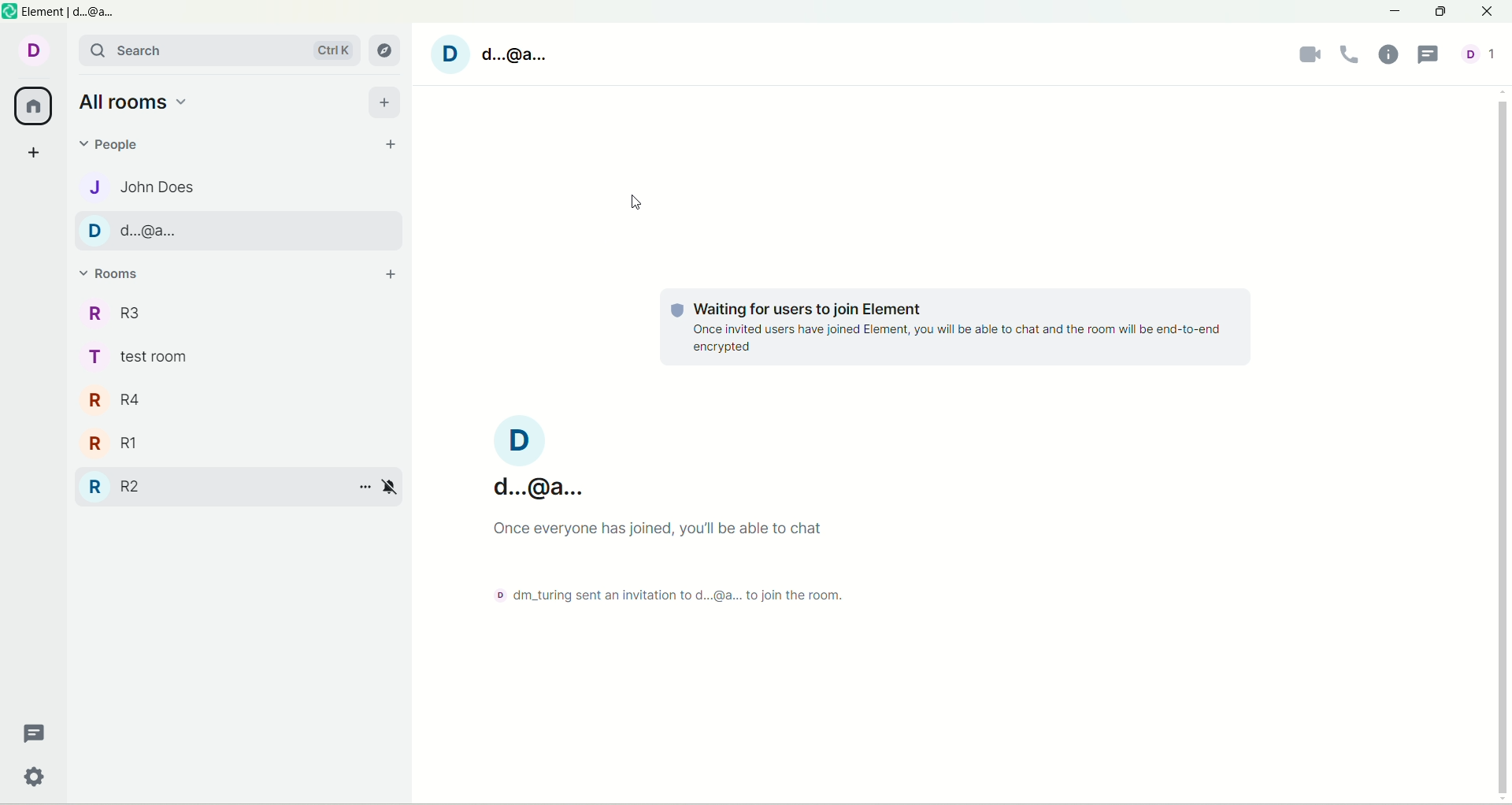 The image size is (1512, 805). I want to click on add, so click(385, 100).